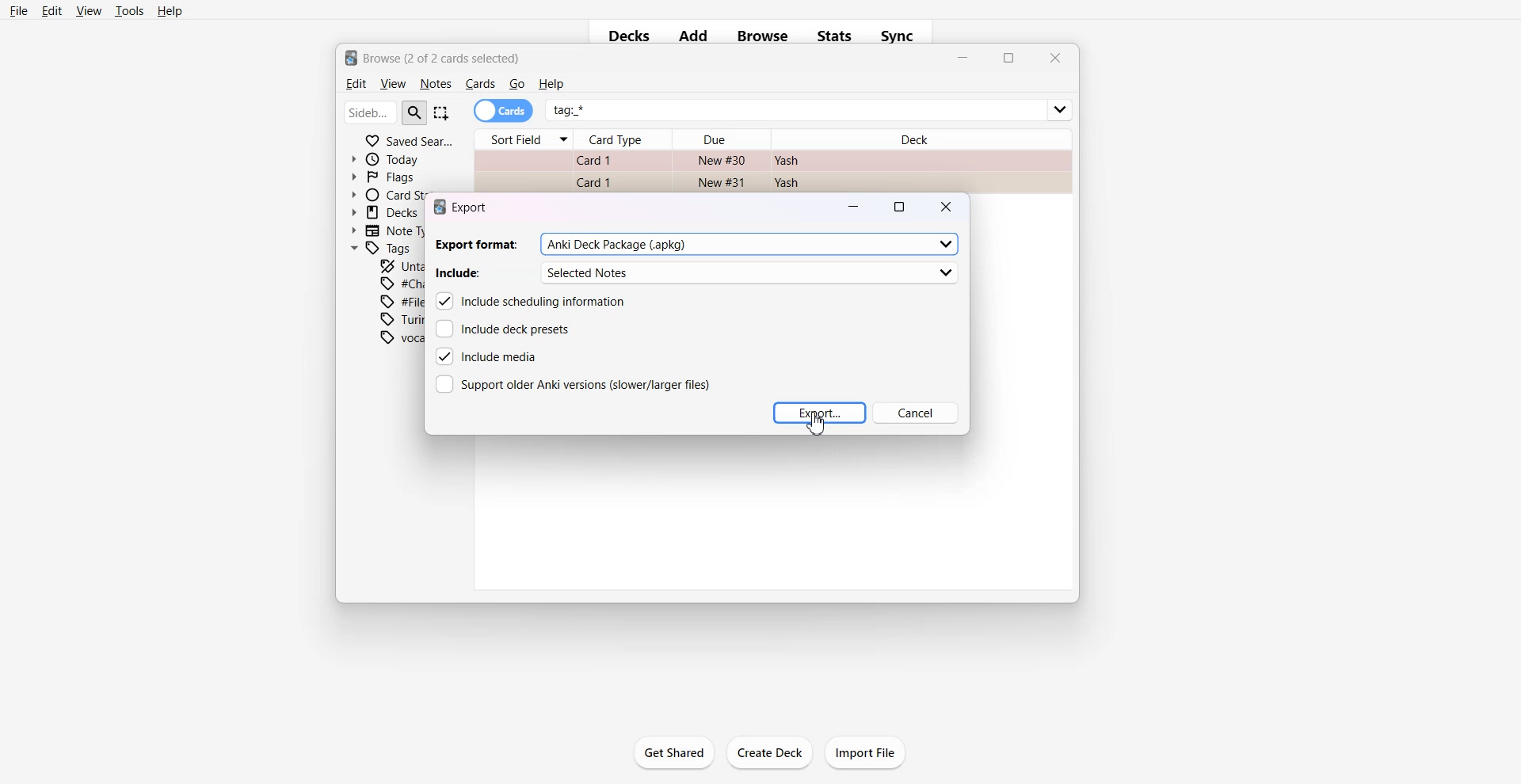 The width and height of the screenshot is (1521, 784). Describe the element at coordinates (533, 301) in the screenshot. I see `Include scheduling information` at that location.